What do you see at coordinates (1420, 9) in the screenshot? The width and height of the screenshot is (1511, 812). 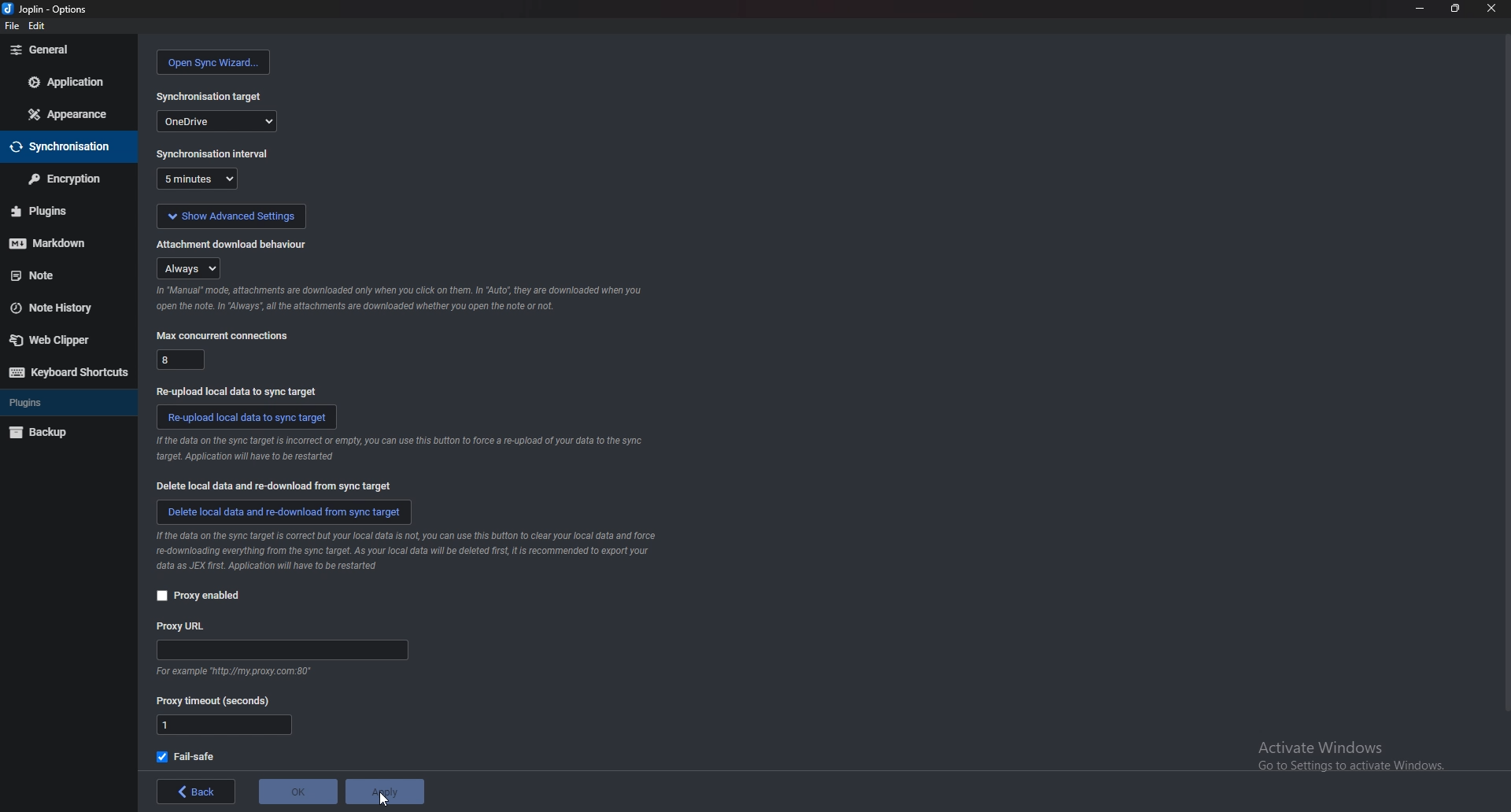 I see `minimize` at bounding box center [1420, 9].